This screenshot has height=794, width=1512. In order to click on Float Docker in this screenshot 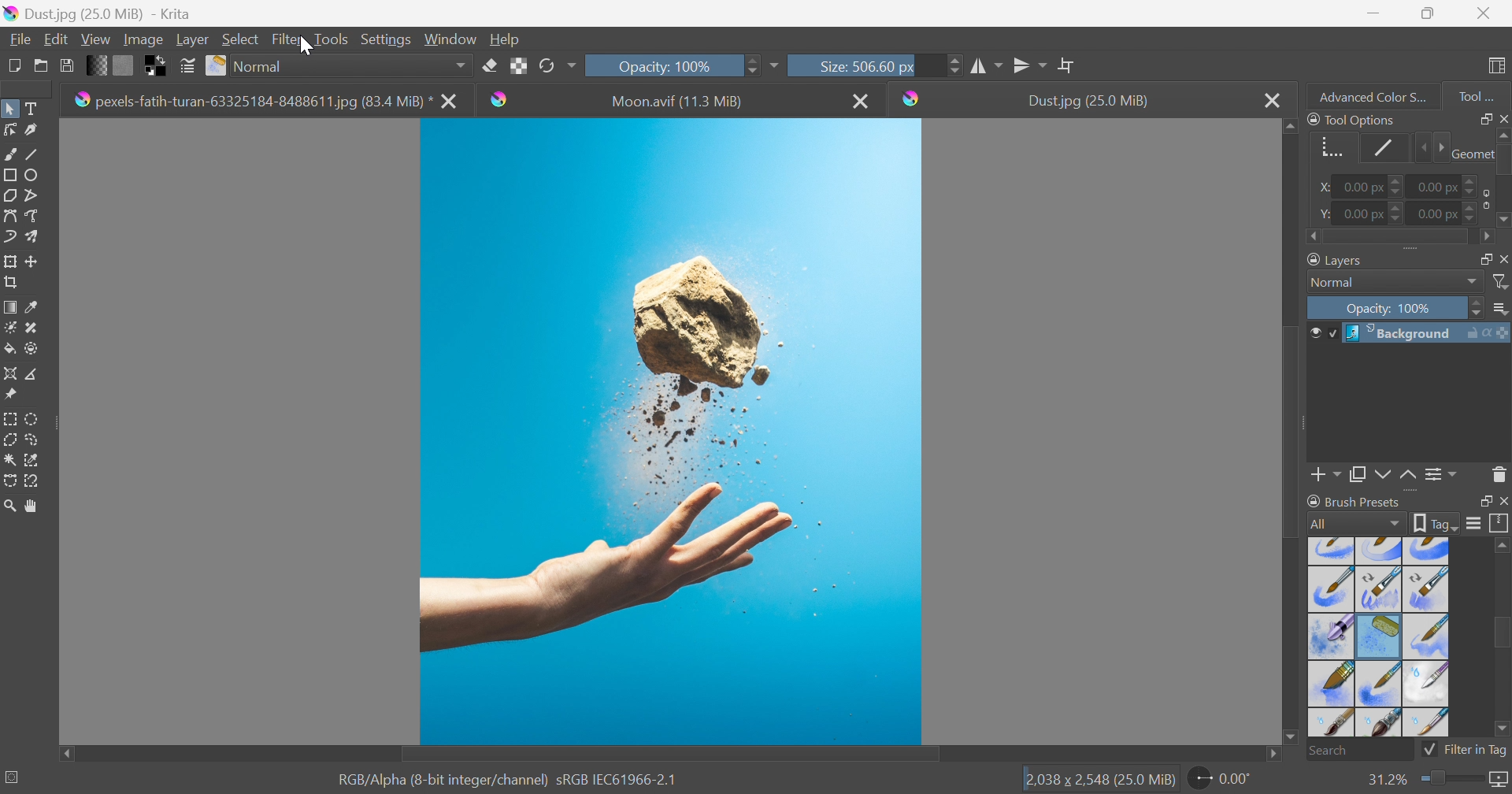, I will do `click(1503, 258)`.